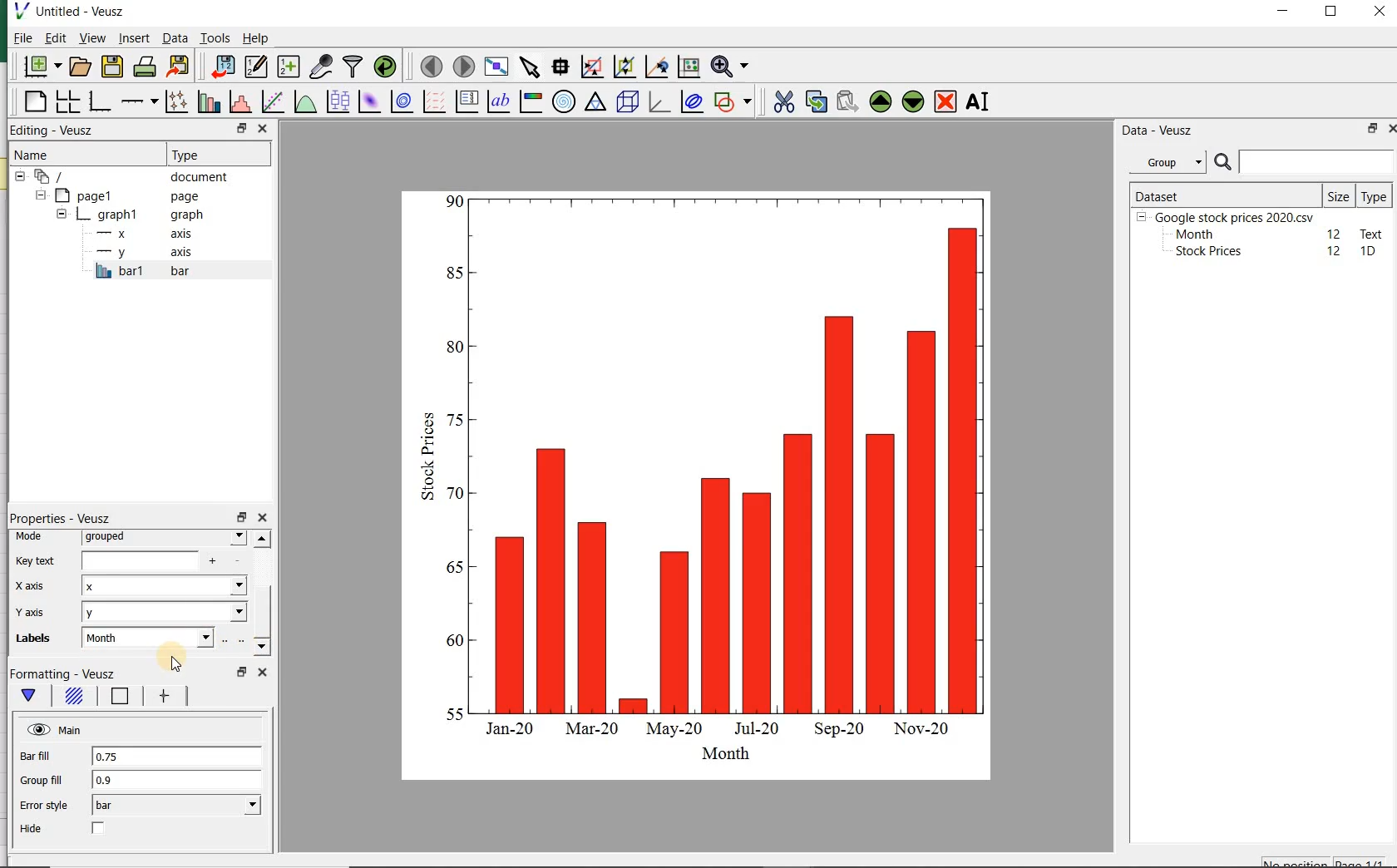  Describe the element at coordinates (785, 104) in the screenshot. I see `cut the selected widget` at that location.